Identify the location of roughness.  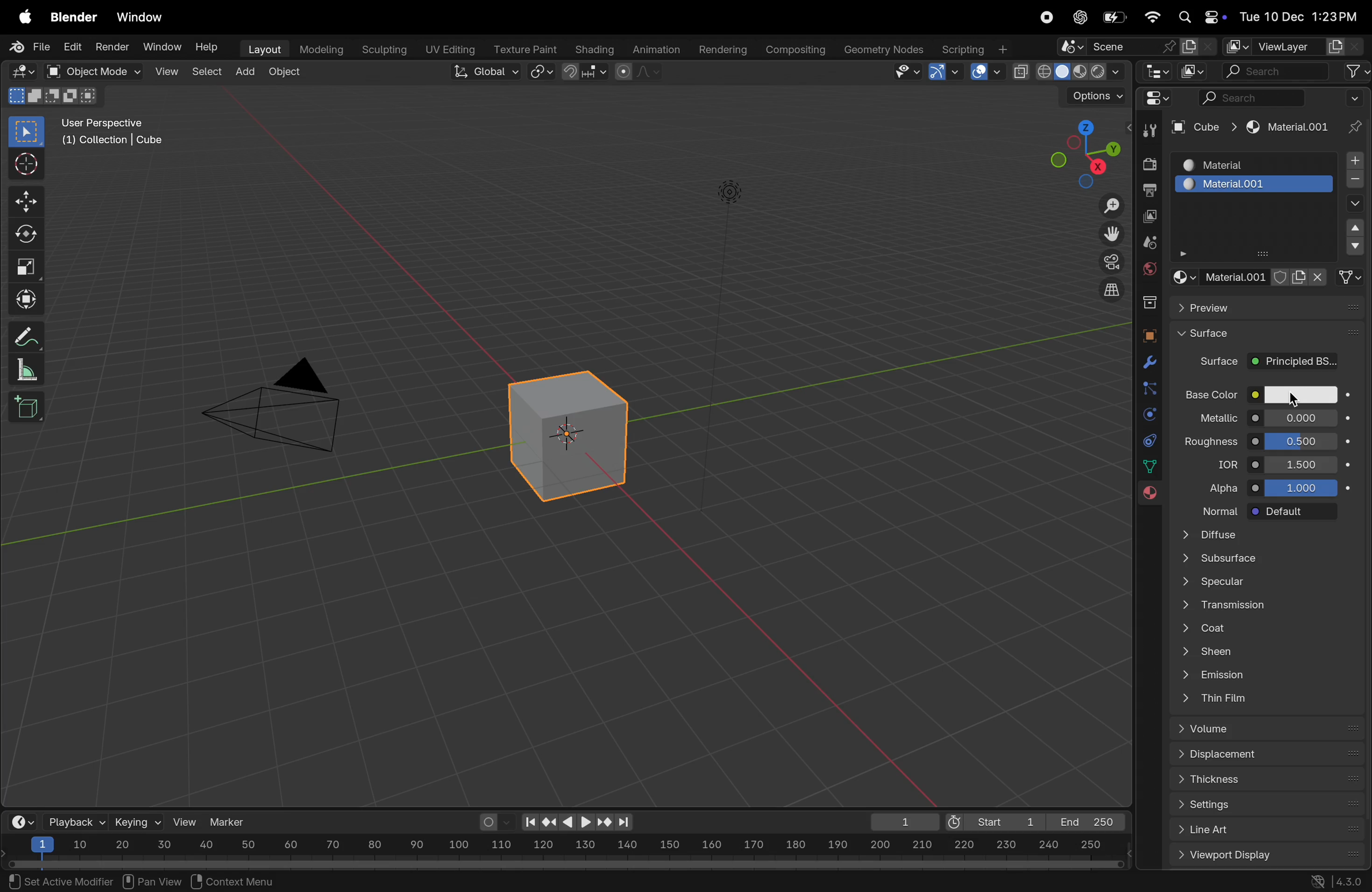
(1210, 439).